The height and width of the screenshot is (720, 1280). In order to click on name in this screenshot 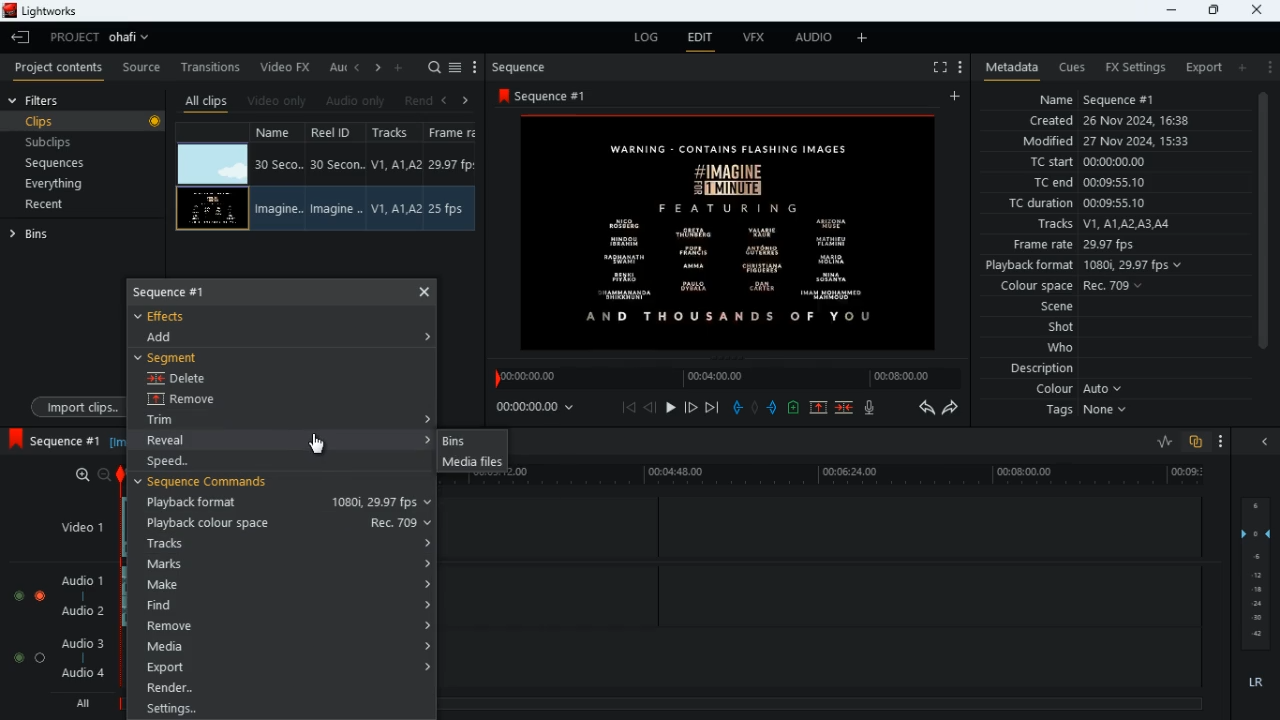, I will do `click(1120, 100)`.